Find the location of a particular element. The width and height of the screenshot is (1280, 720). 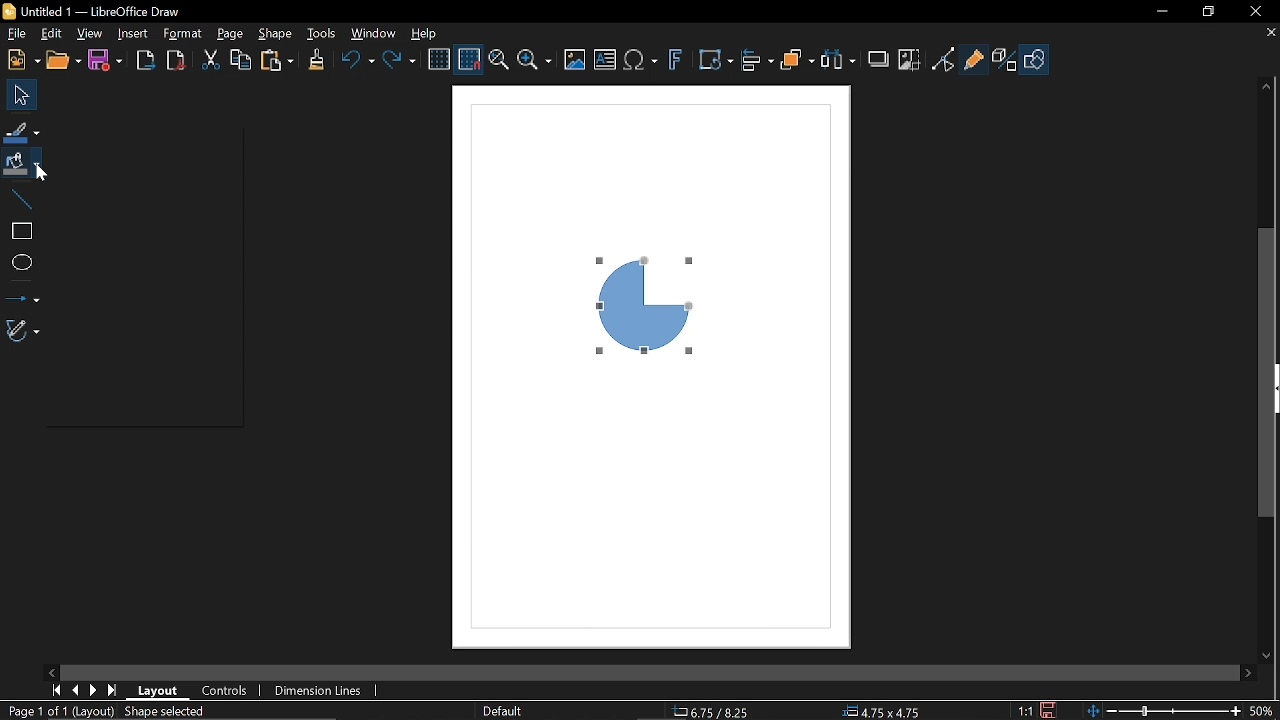

Transformation is located at coordinates (715, 62).